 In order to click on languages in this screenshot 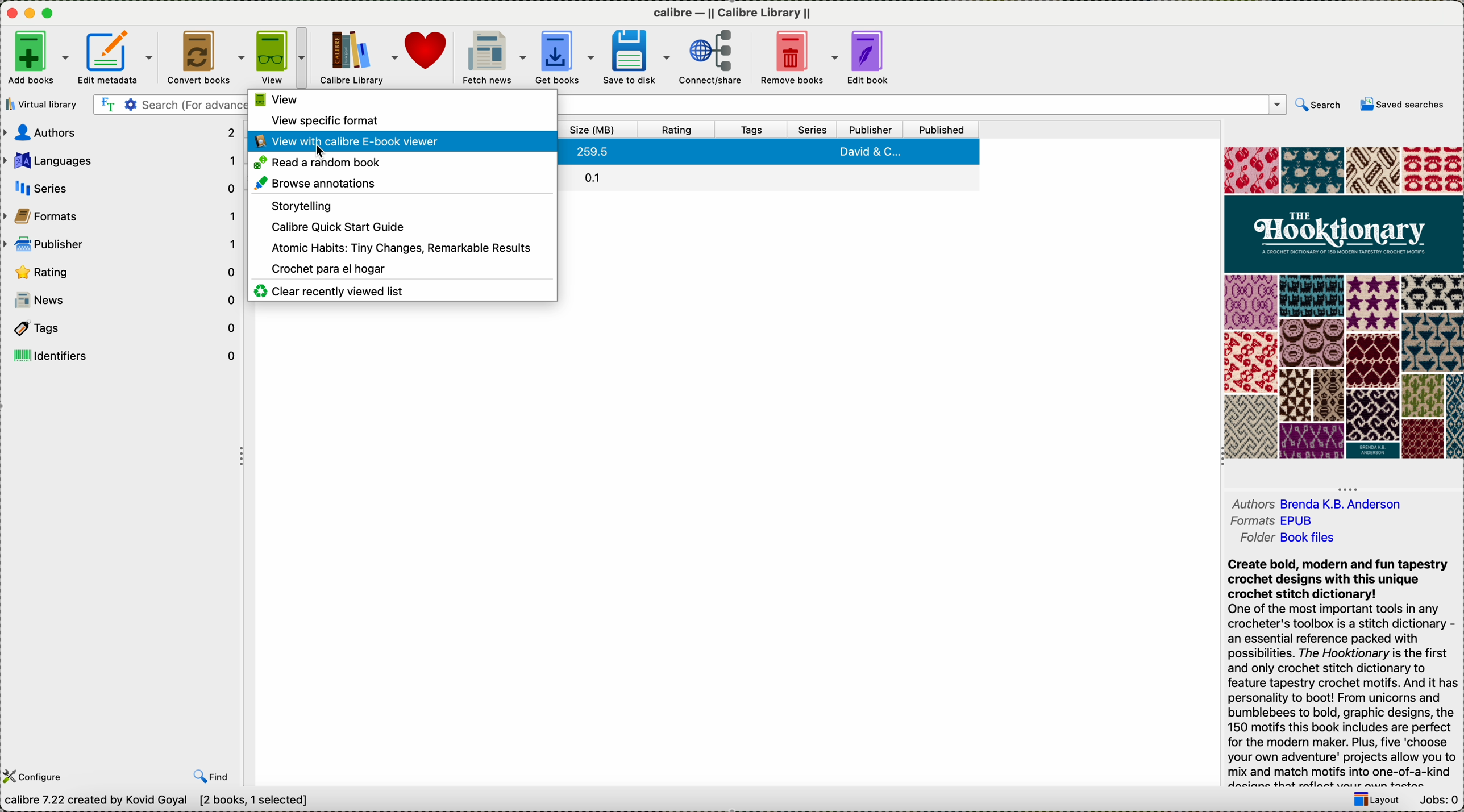, I will do `click(119, 160)`.